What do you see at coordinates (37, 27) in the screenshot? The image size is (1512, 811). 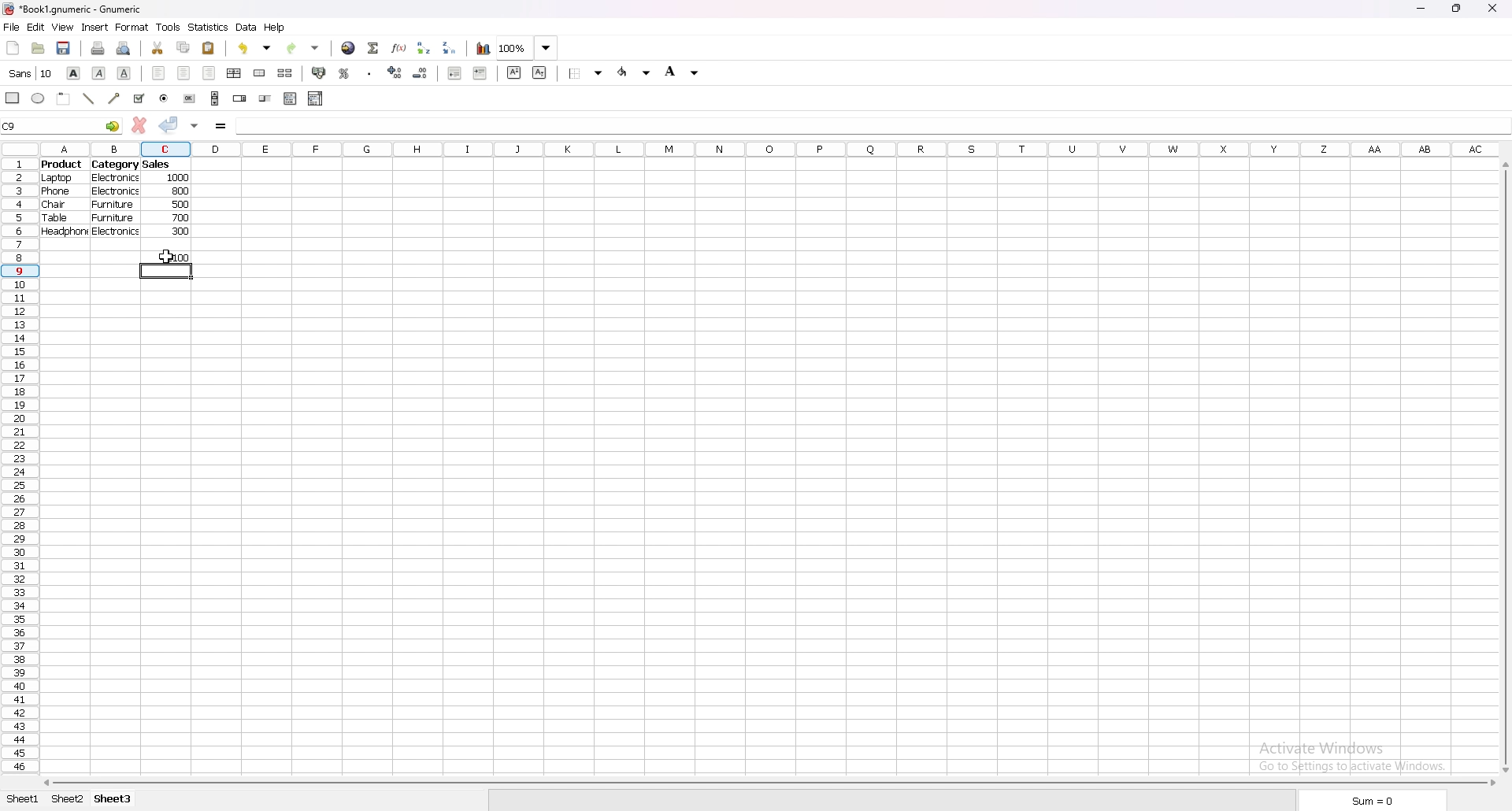 I see `edit` at bounding box center [37, 27].